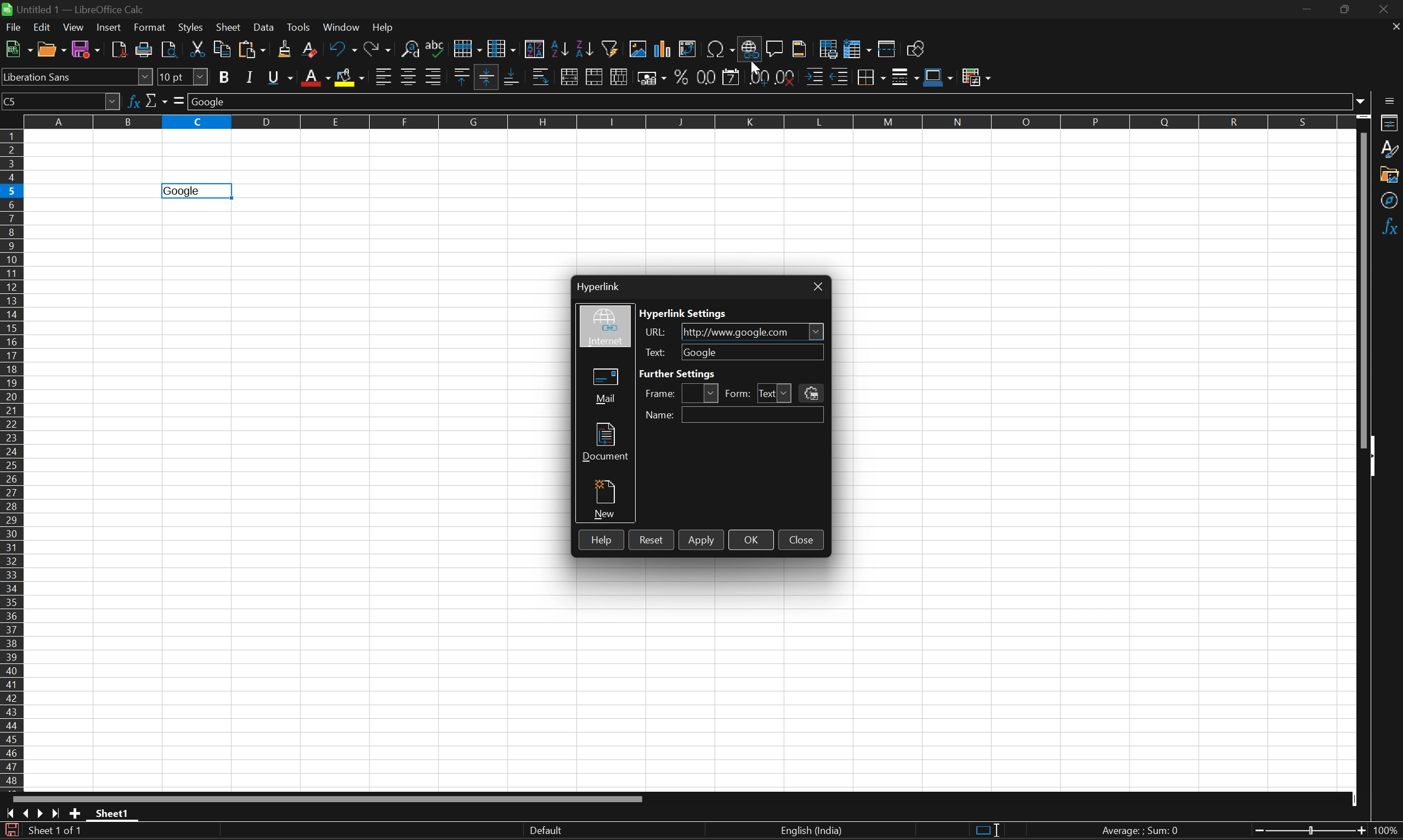 This screenshot has width=1403, height=840. What do you see at coordinates (328, 799) in the screenshot?
I see `Scroll bar` at bounding box center [328, 799].